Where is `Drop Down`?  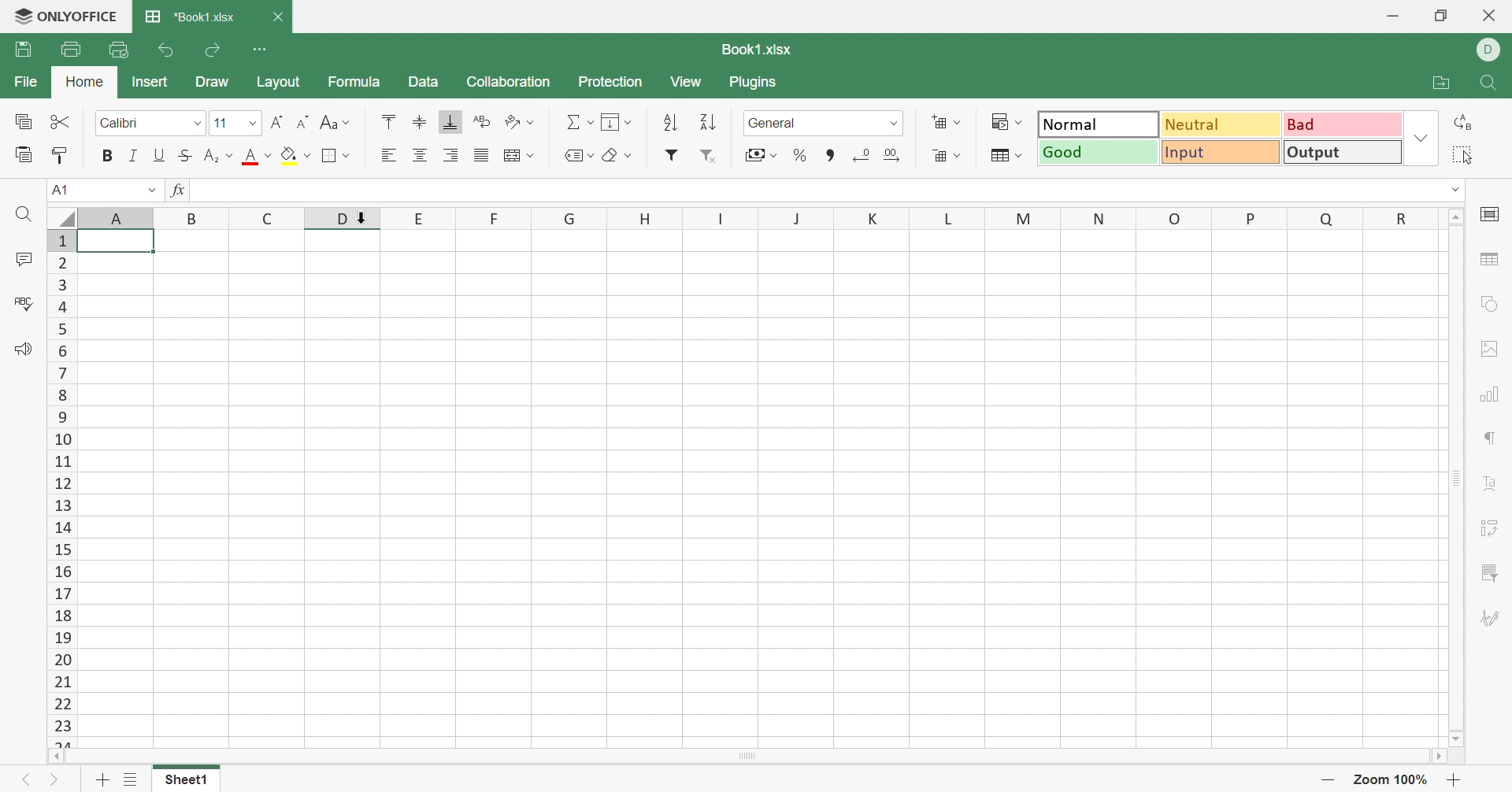
Drop Down is located at coordinates (896, 123).